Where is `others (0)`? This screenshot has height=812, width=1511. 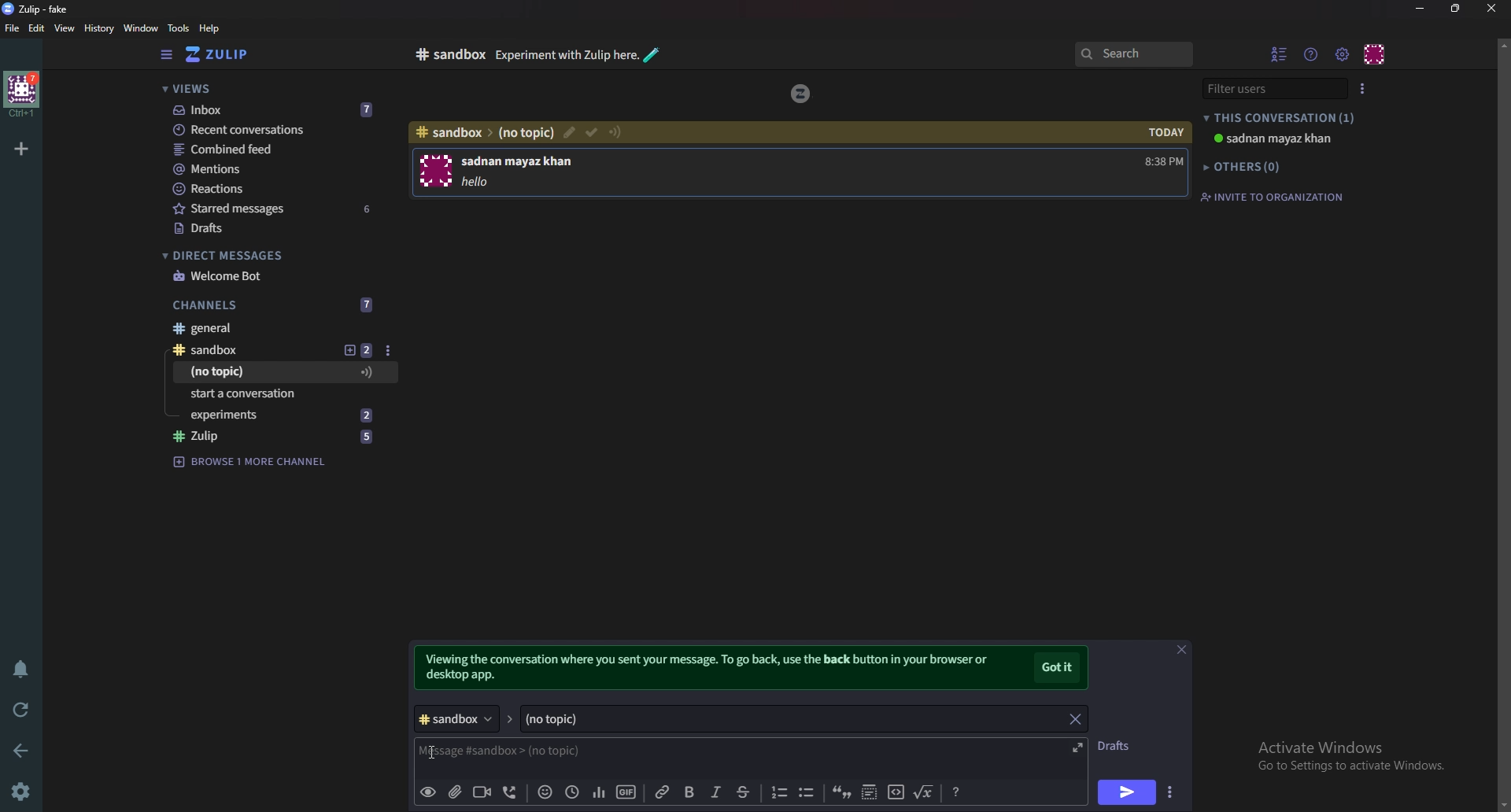 others (0) is located at coordinates (1249, 166).